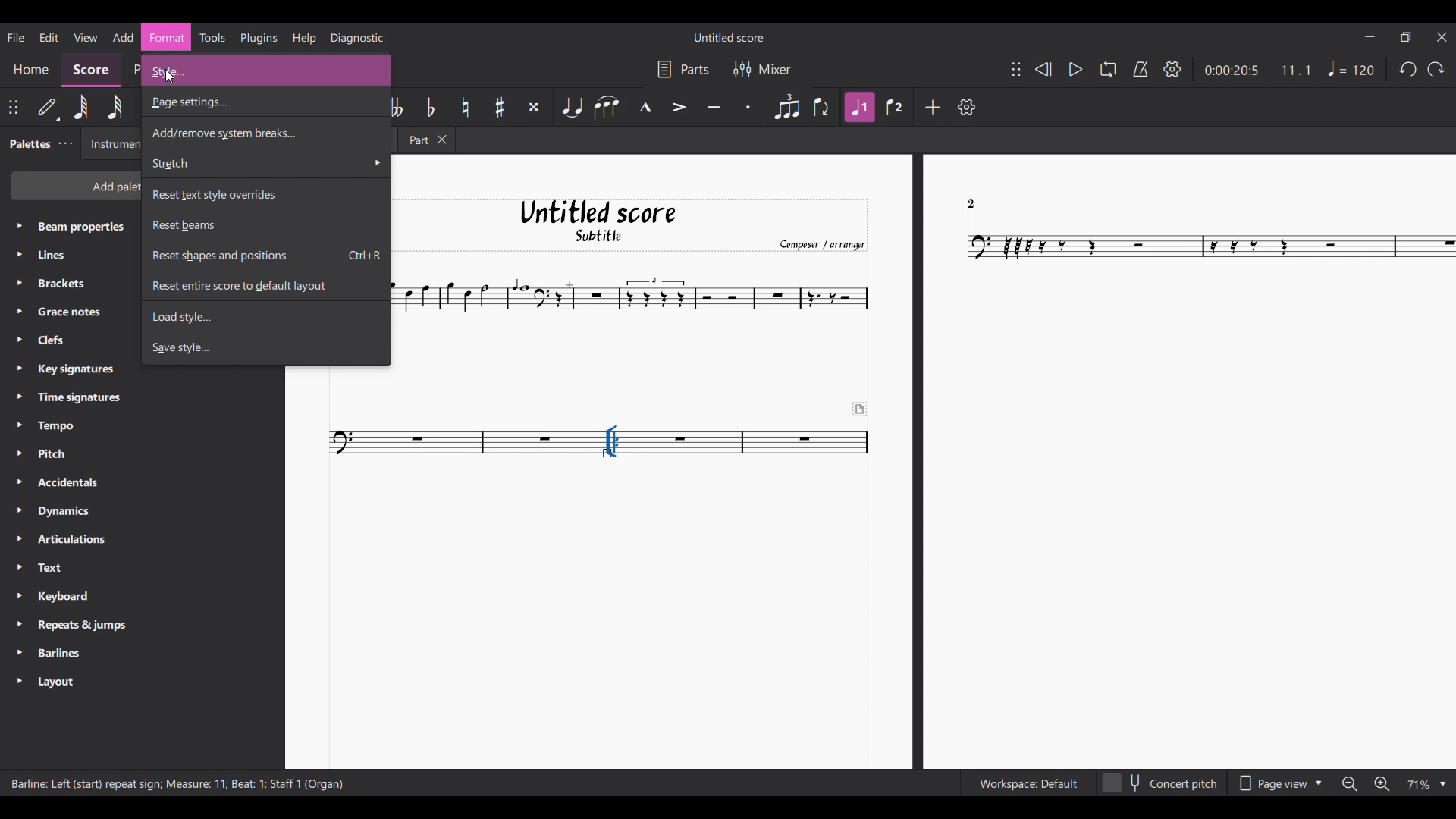  Describe the element at coordinates (259, 39) in the screenshot. I see `Plugins menu` at that location.